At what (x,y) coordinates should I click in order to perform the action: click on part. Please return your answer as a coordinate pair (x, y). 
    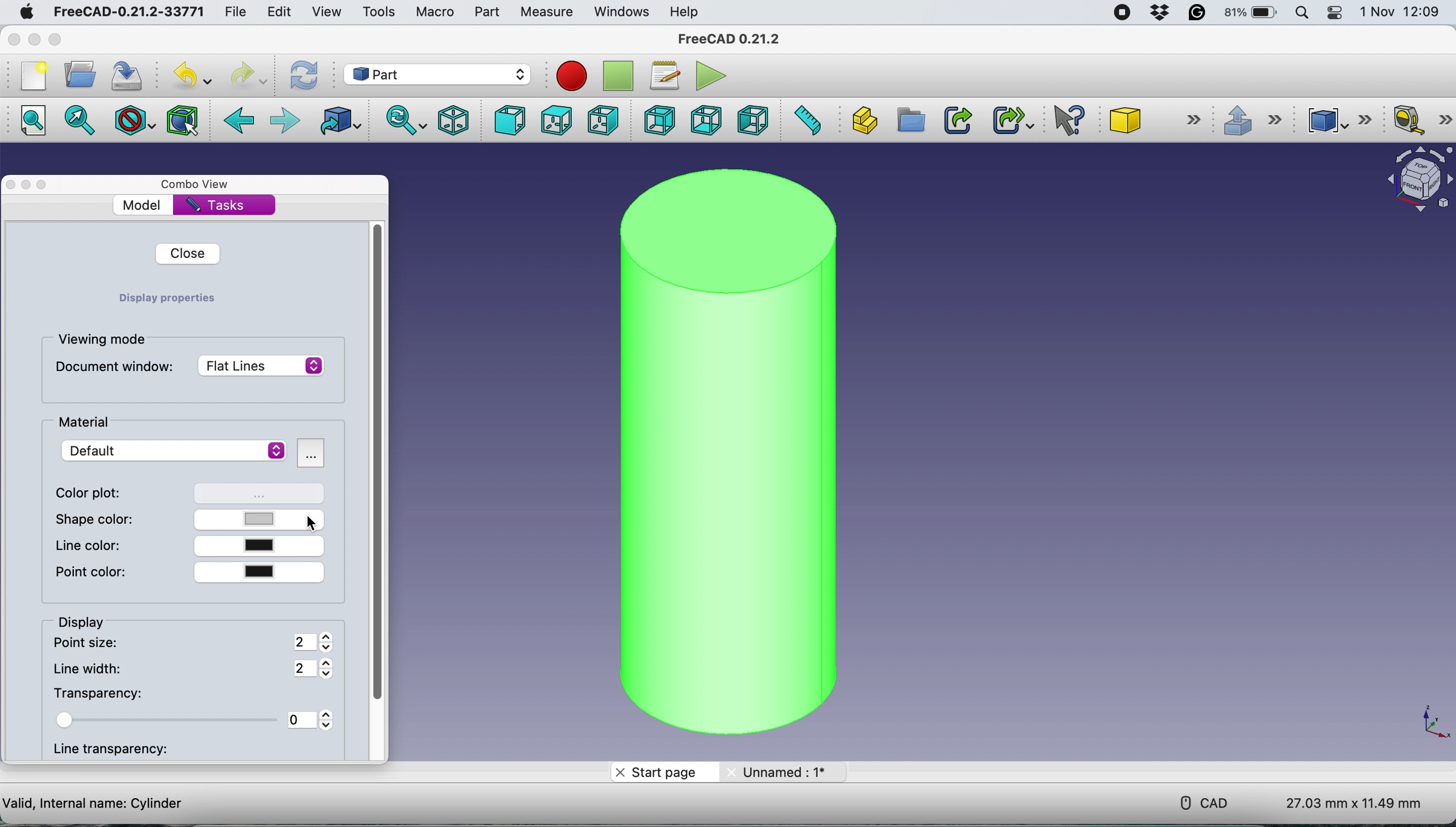
    Looking at the image, I should click on (489, 14).